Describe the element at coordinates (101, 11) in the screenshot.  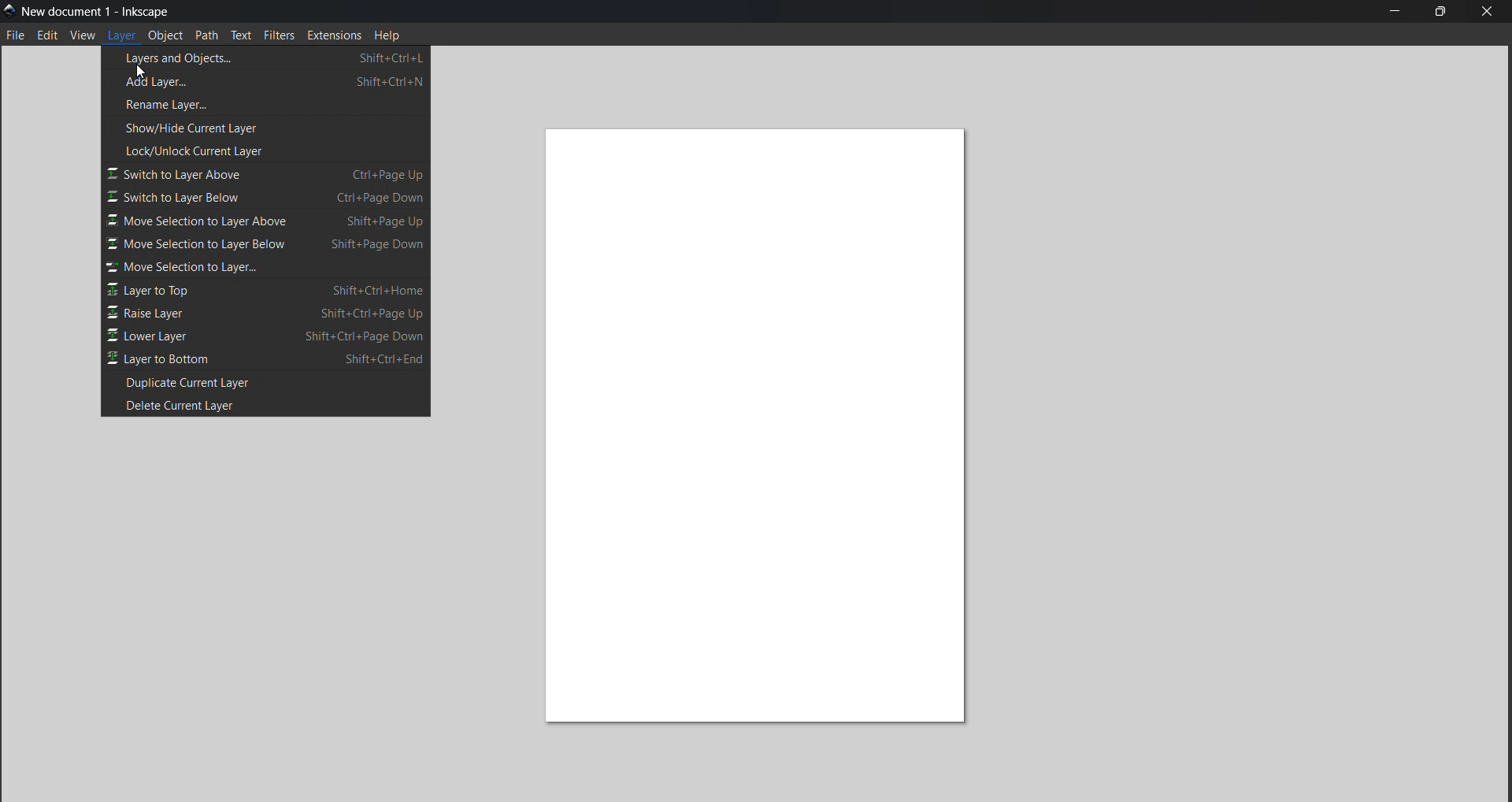
I see `Title` at that location.